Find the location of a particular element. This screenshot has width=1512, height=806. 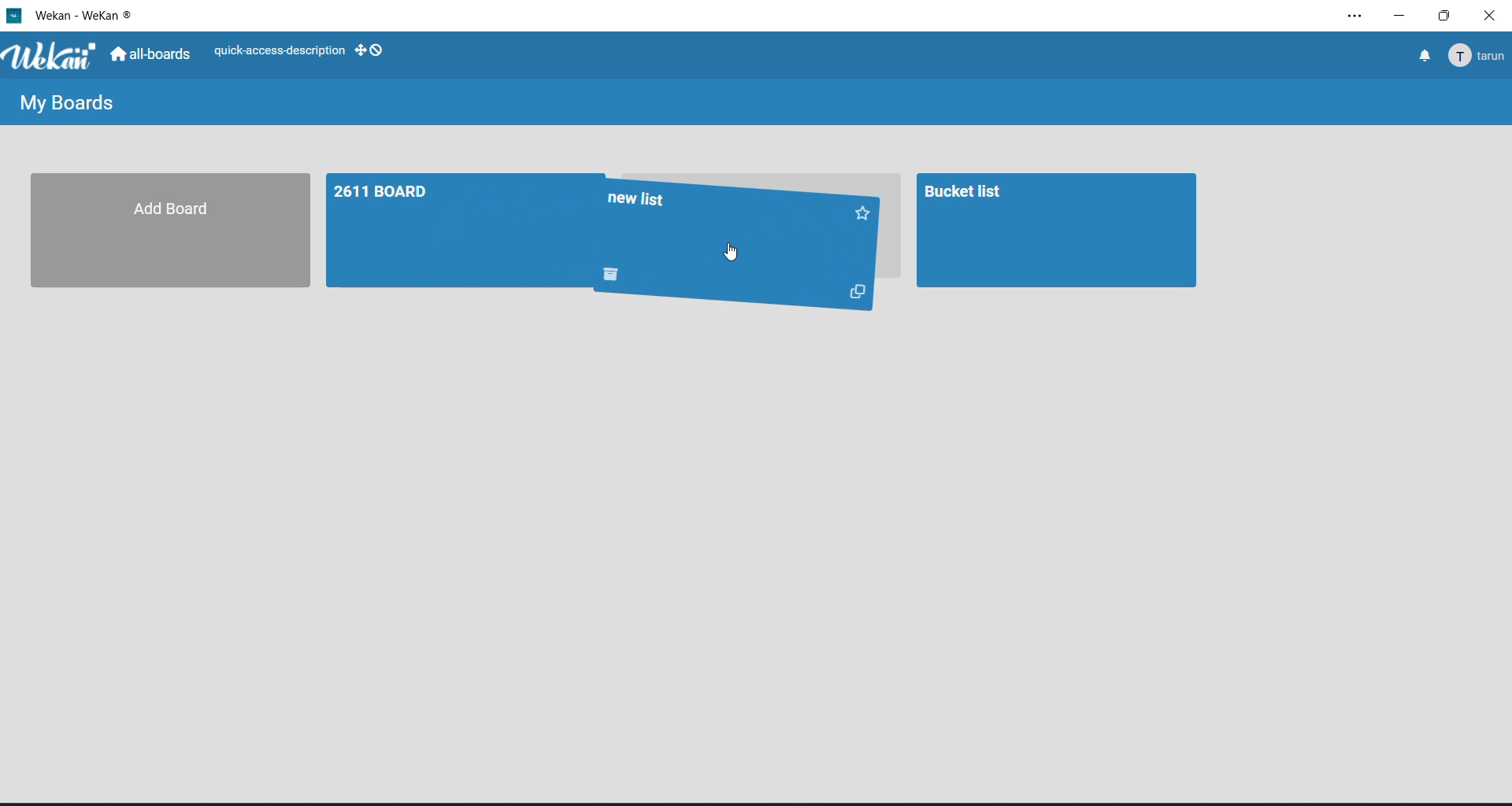

close is located at coordinates (1492, 16).